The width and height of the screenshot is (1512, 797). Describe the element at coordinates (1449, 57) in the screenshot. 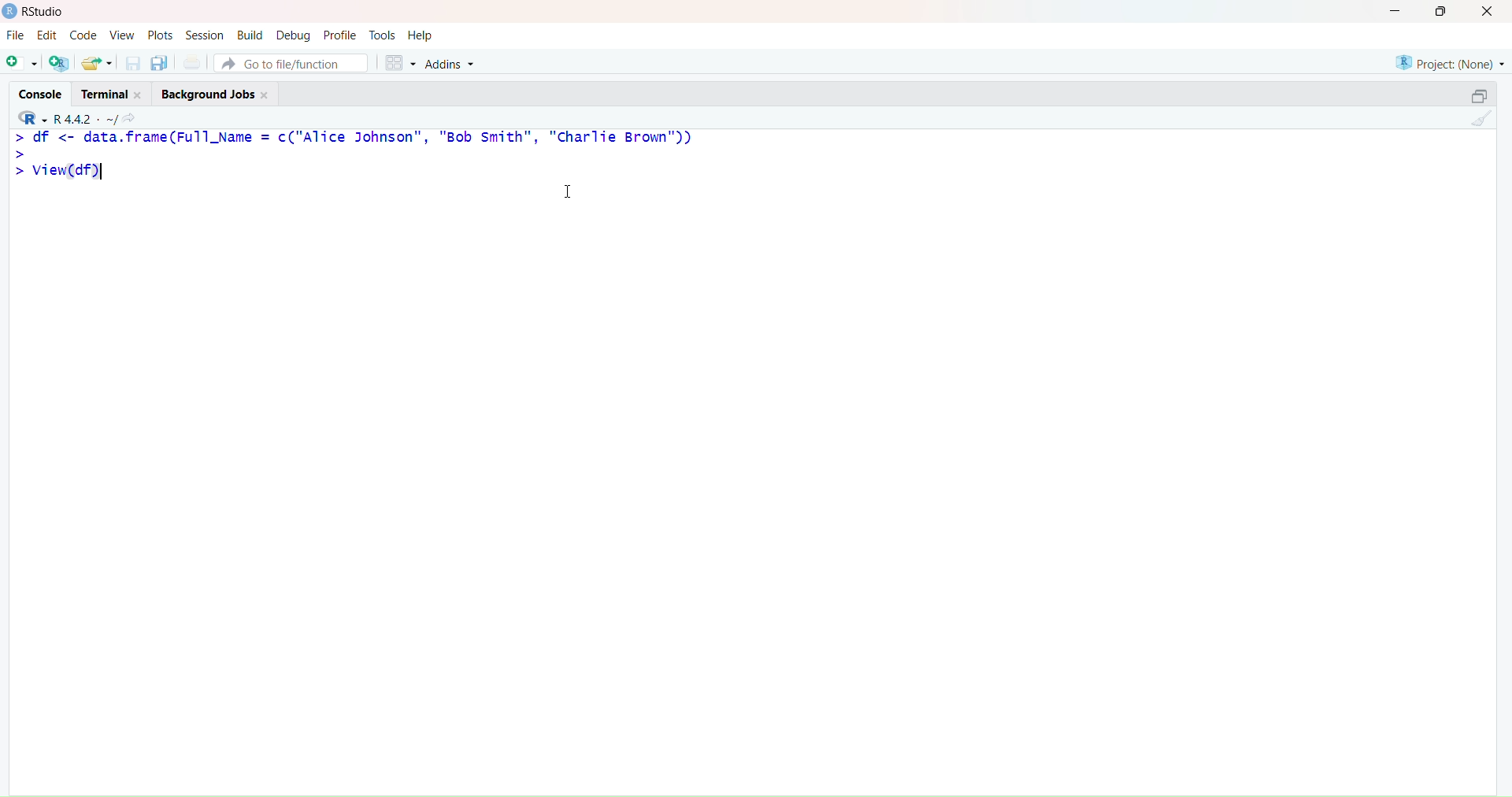

I see `Project (None)` at that location.